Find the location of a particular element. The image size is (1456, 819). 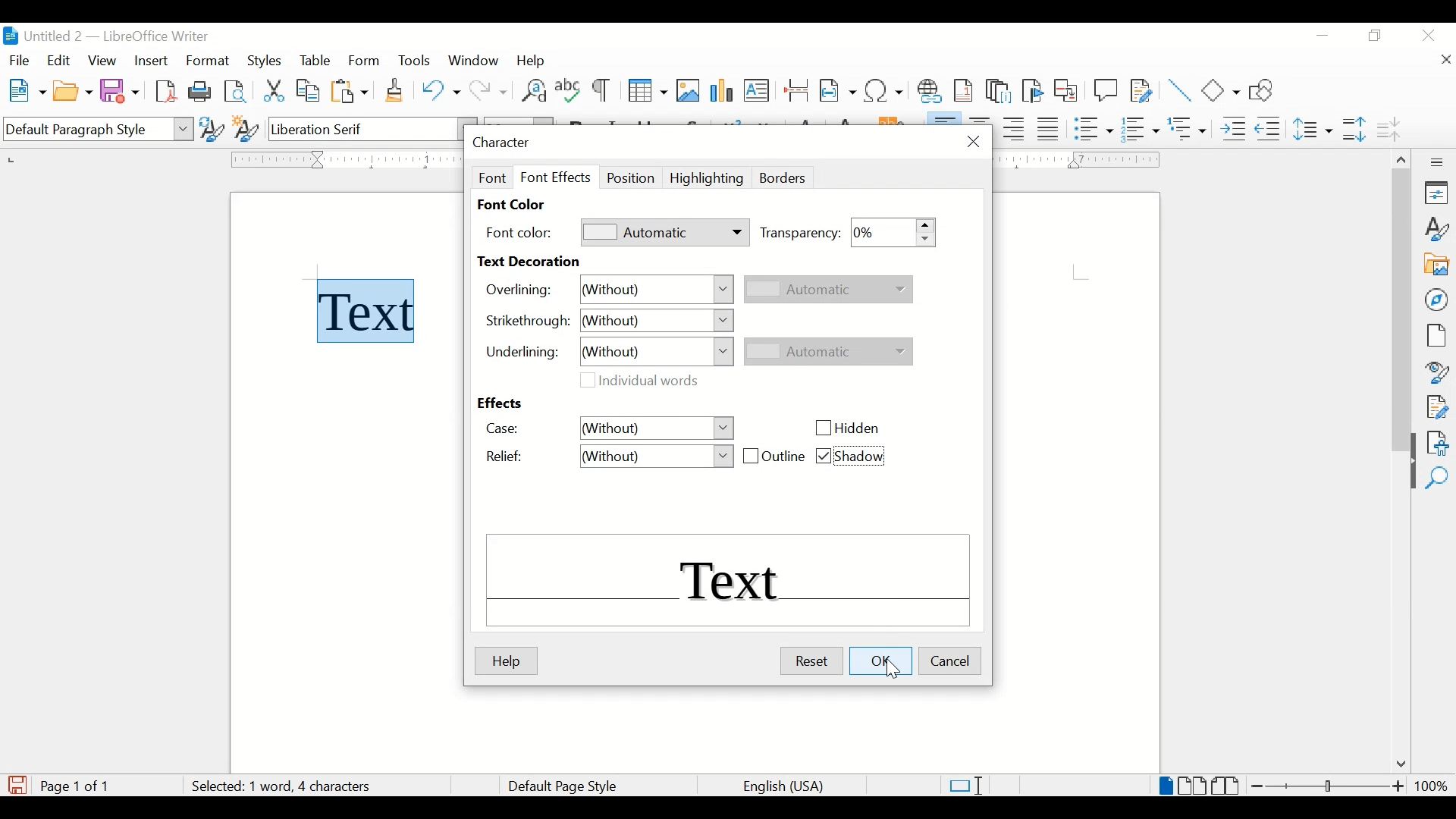

tools is located at coordinates (414, 60).